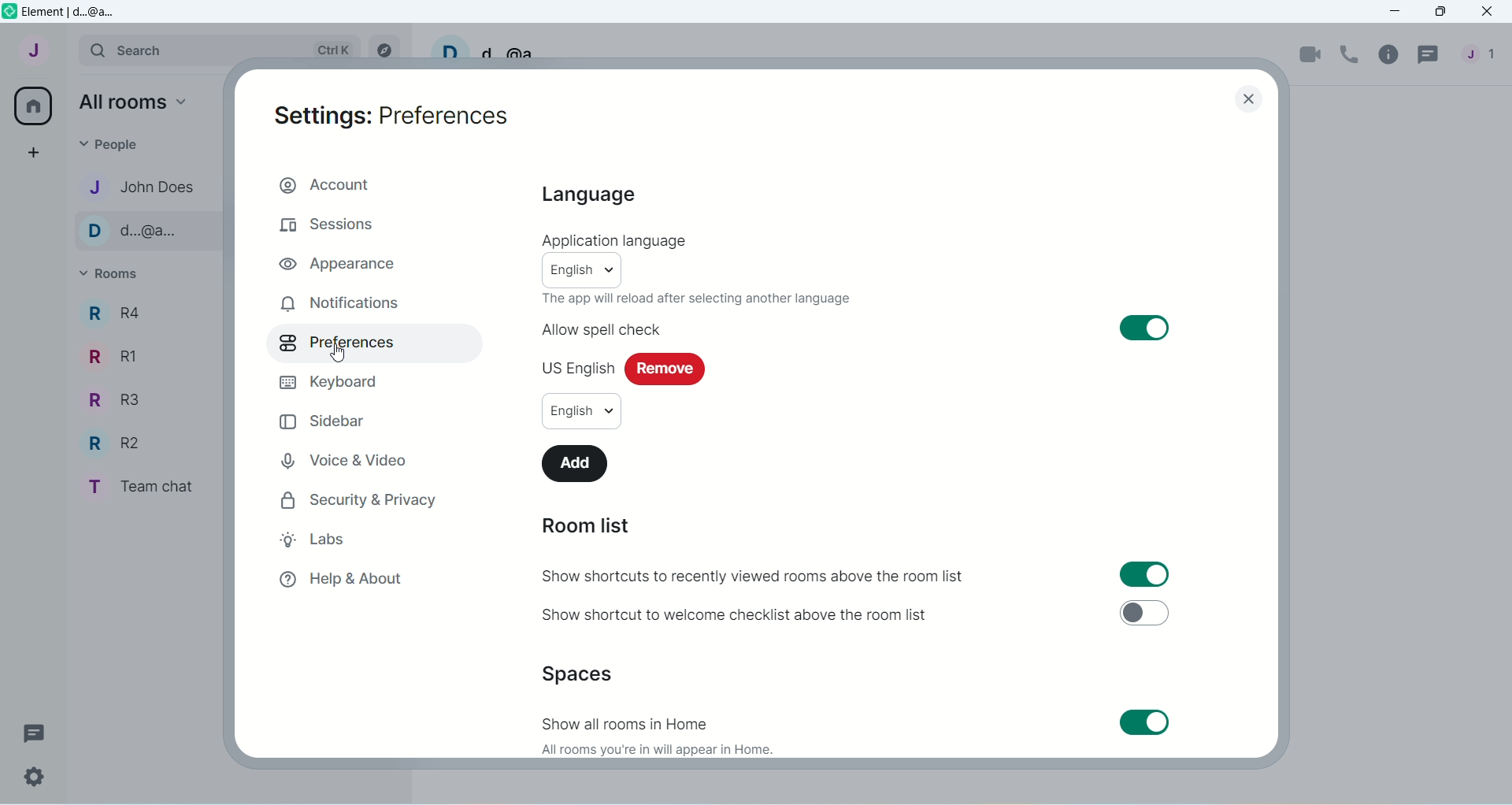 The width and height of the screenshot is (1512, 805). What do you see at coordinates (1146, 613) in the screenshot?
I see `toggle switch off` at bounding box center [1146, 613].